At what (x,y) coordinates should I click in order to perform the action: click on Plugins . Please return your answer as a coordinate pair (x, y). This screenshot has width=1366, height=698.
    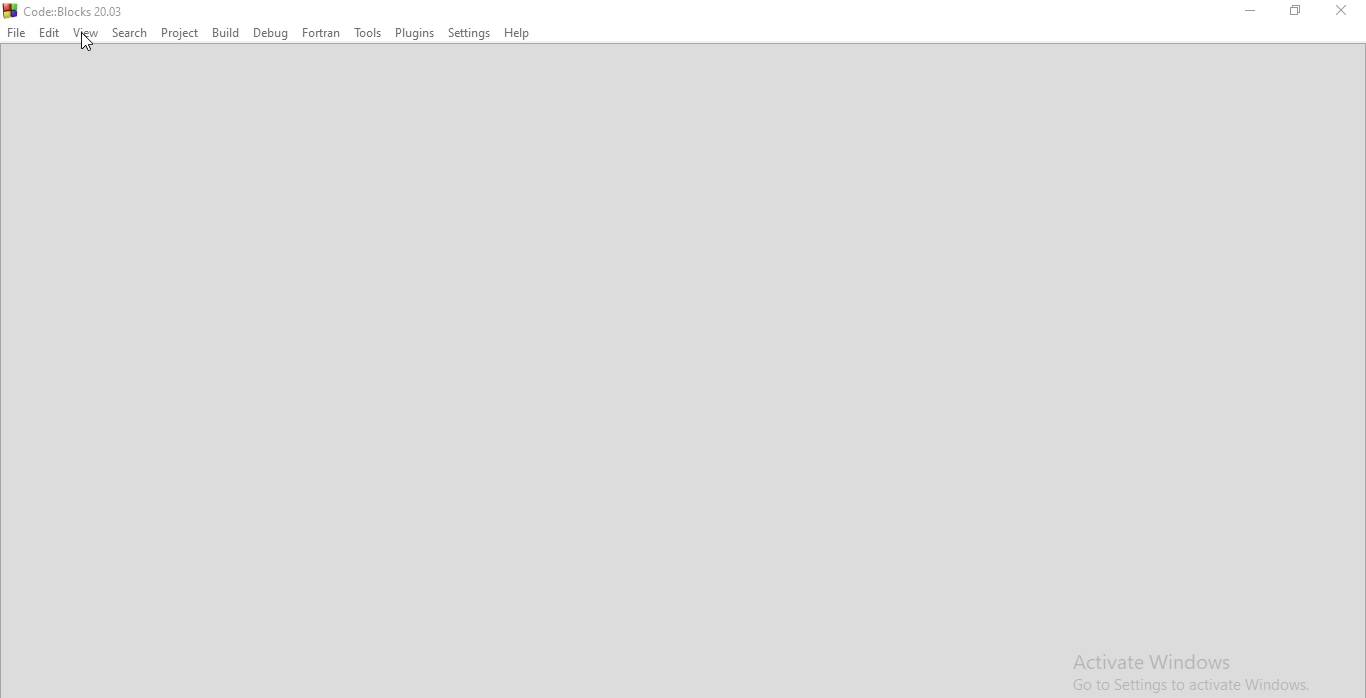
    Looking at the image, I should click on (415, 32).